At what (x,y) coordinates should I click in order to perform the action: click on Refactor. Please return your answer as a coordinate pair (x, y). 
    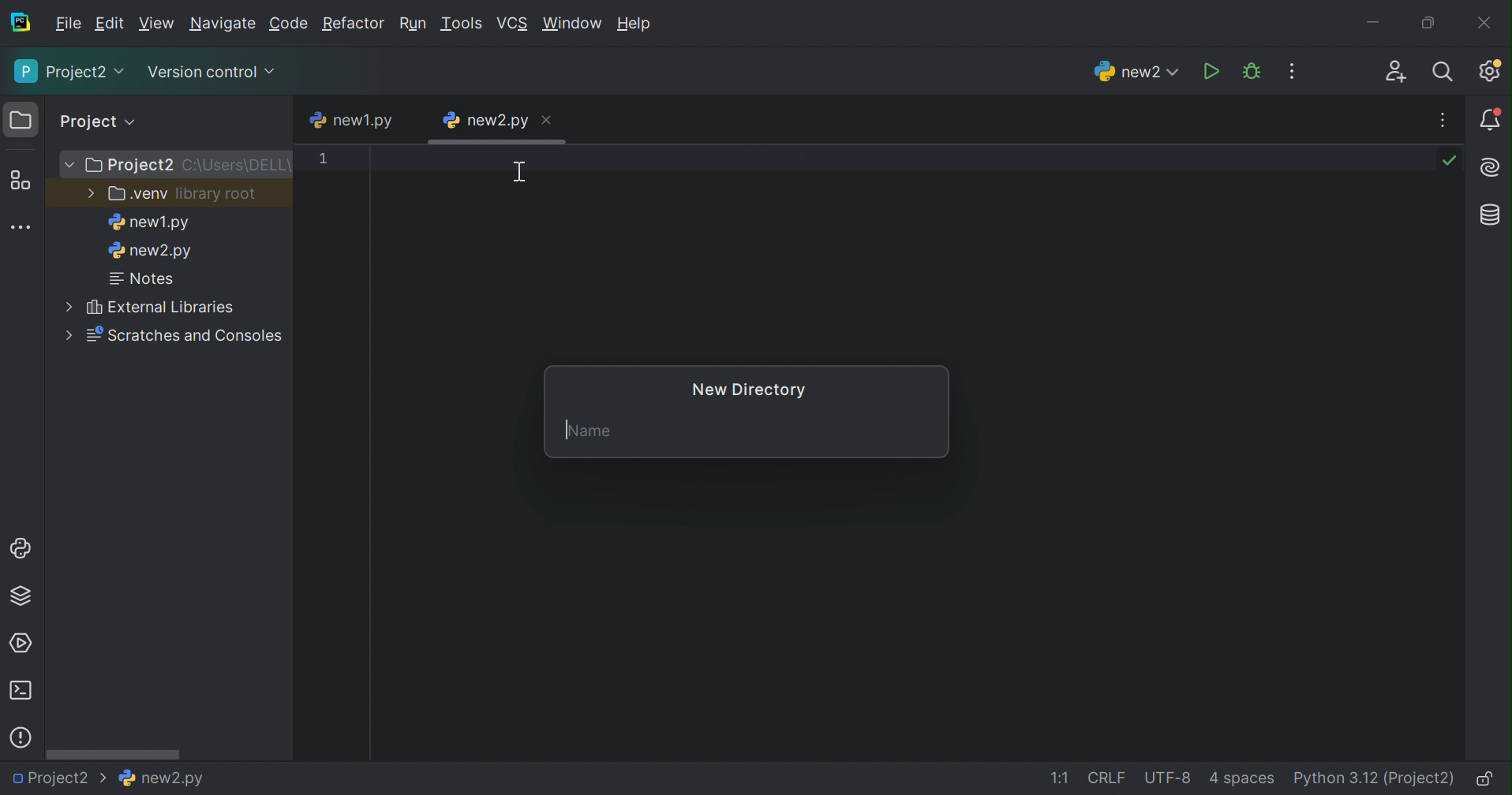
    Looking at the image, I should click on (353, 24).